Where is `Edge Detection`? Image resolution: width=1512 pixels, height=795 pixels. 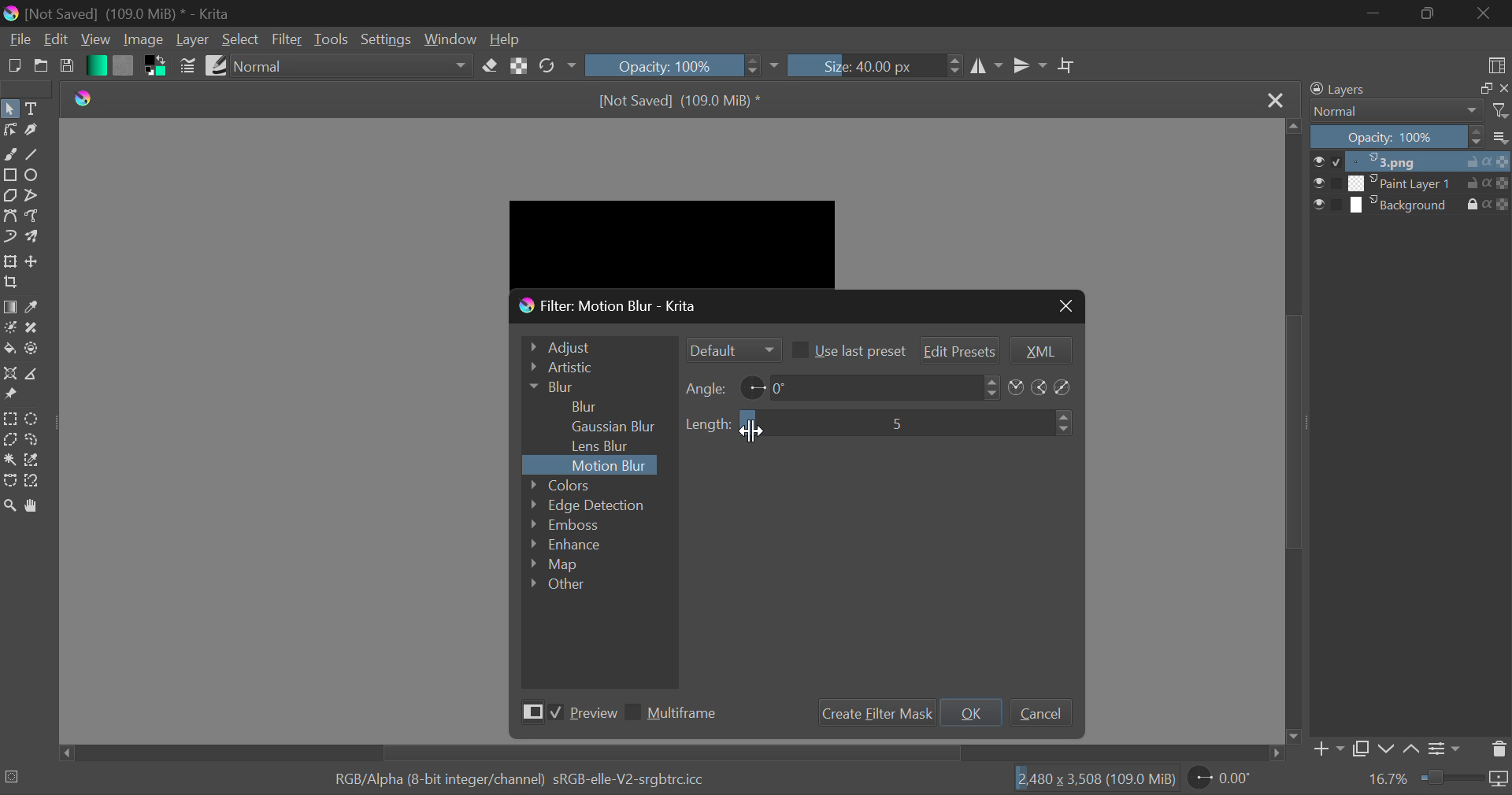
Edge Detection is located at coordinates (589, 505).